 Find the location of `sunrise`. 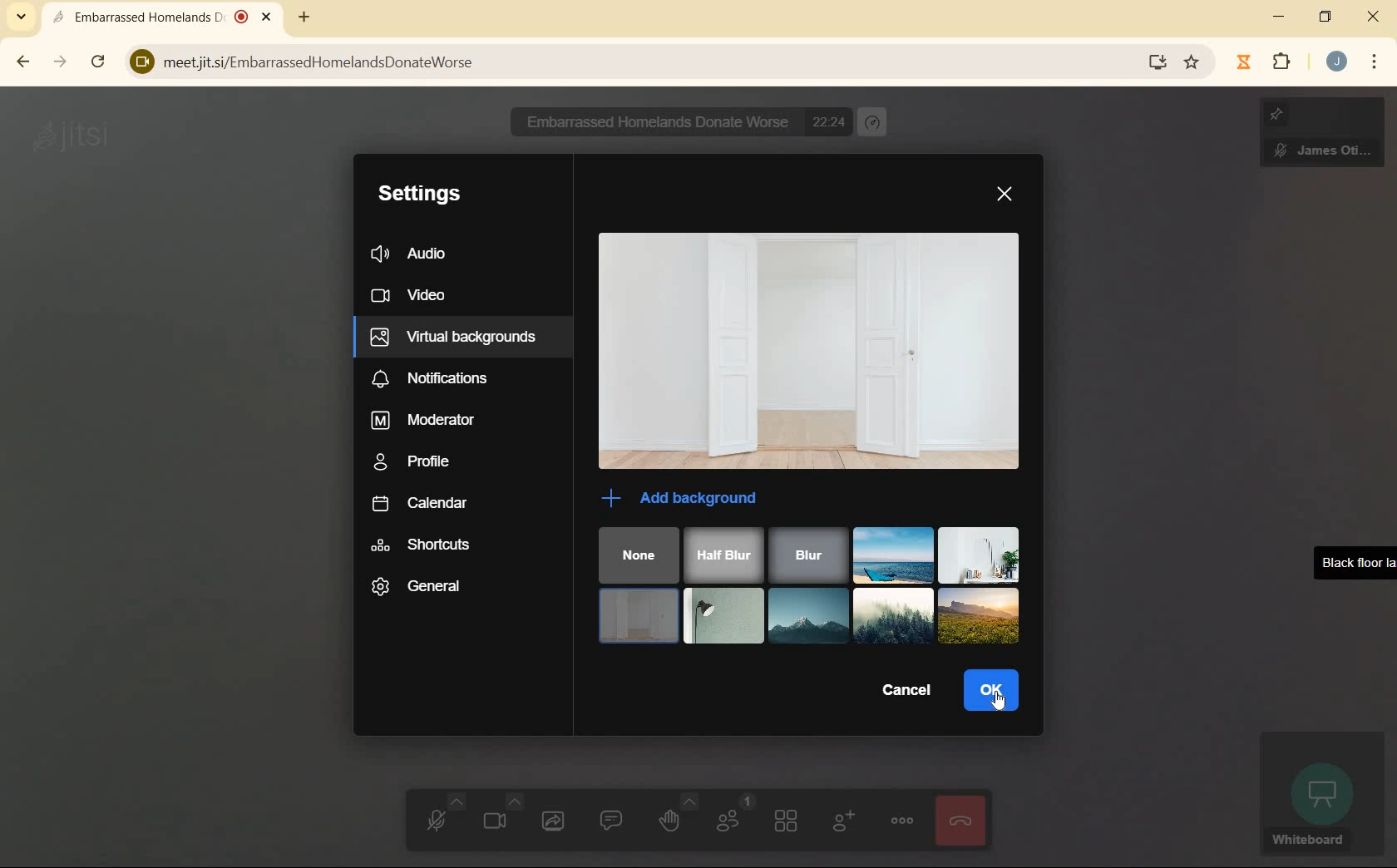

sunrise is located at coordinates (978, 617).